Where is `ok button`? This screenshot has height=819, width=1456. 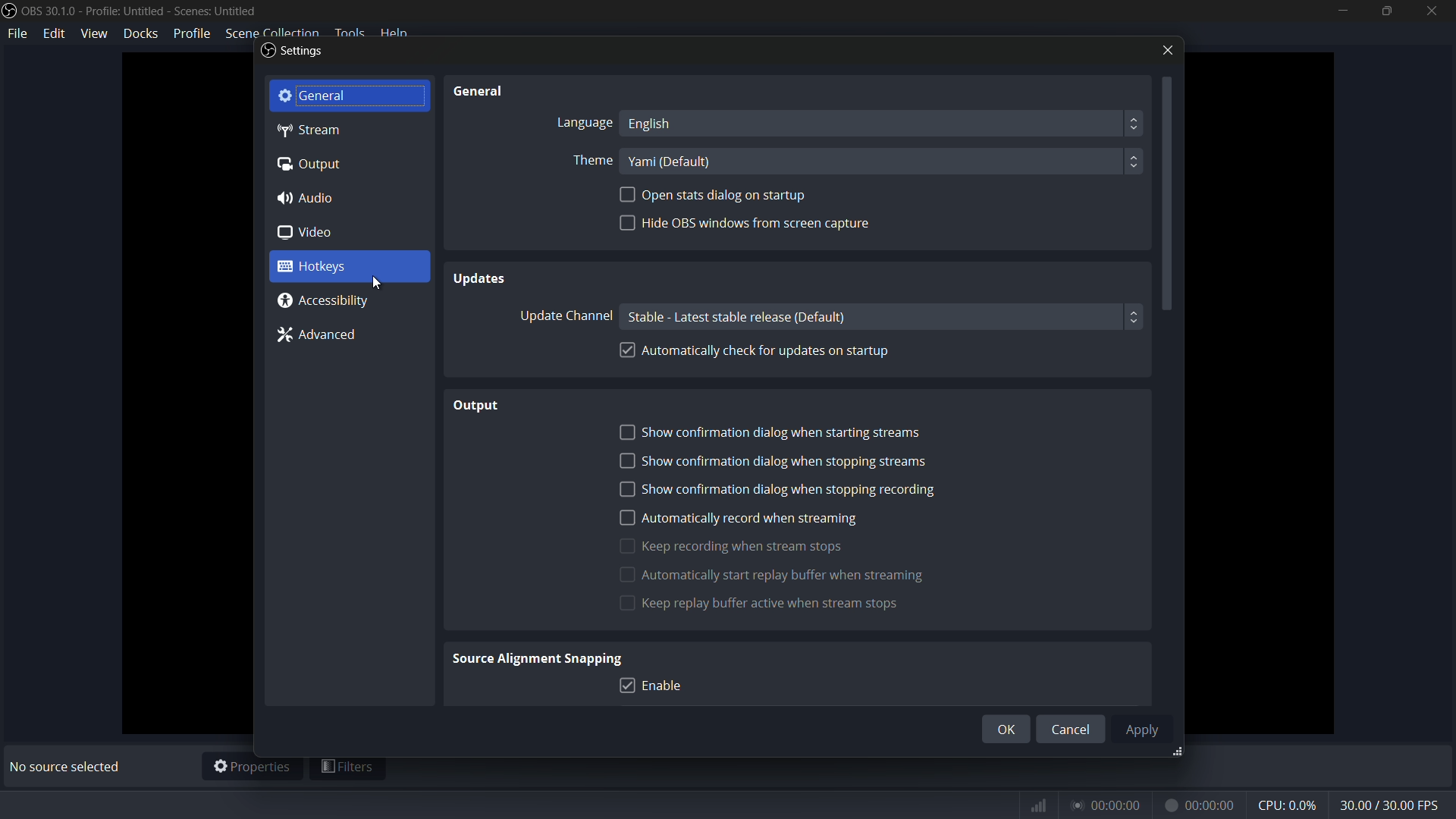
ok button is located at coordinates (1005, 730).